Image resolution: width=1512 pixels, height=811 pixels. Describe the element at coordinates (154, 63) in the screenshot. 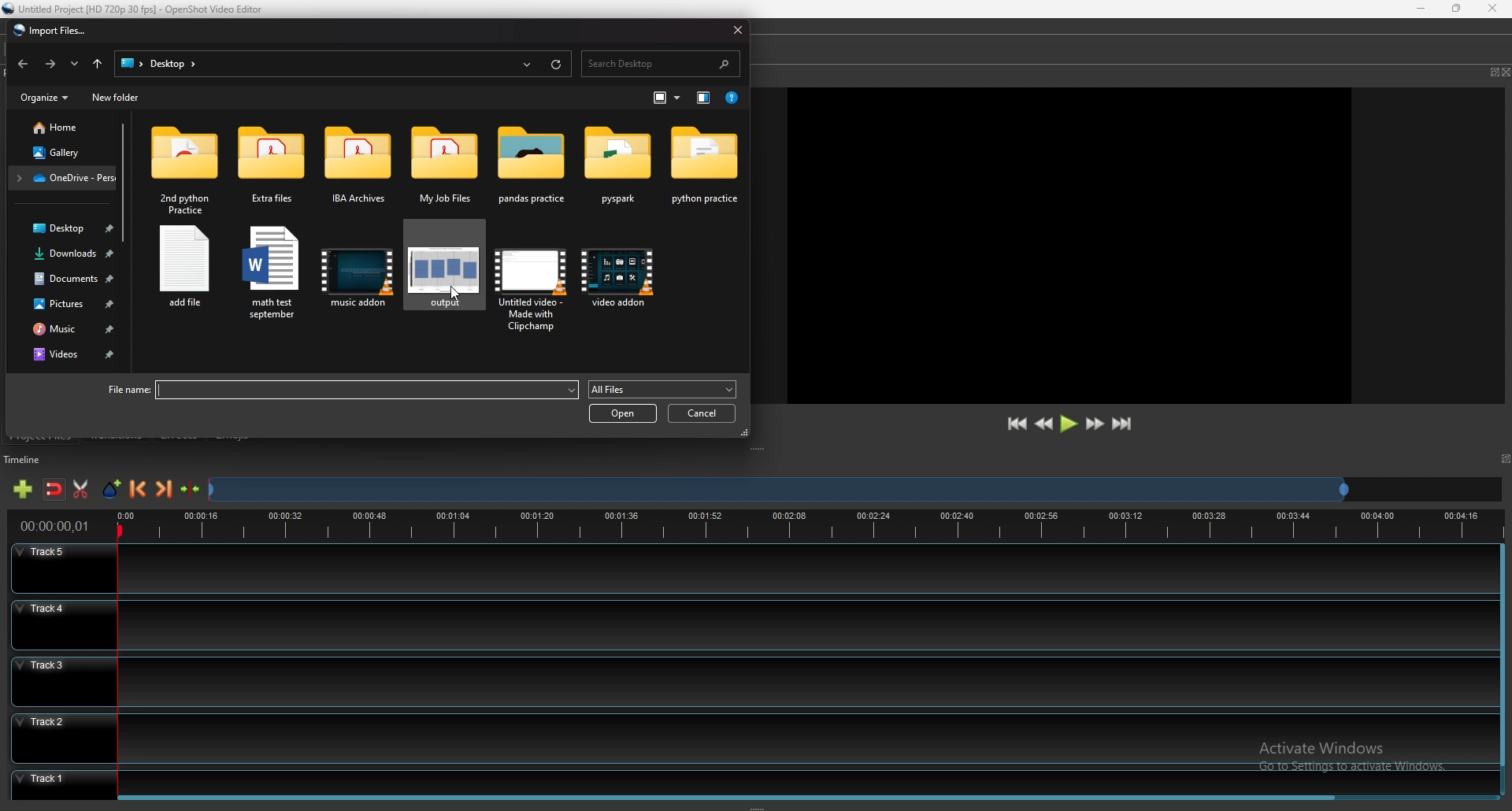

I see `desktop` at that location.